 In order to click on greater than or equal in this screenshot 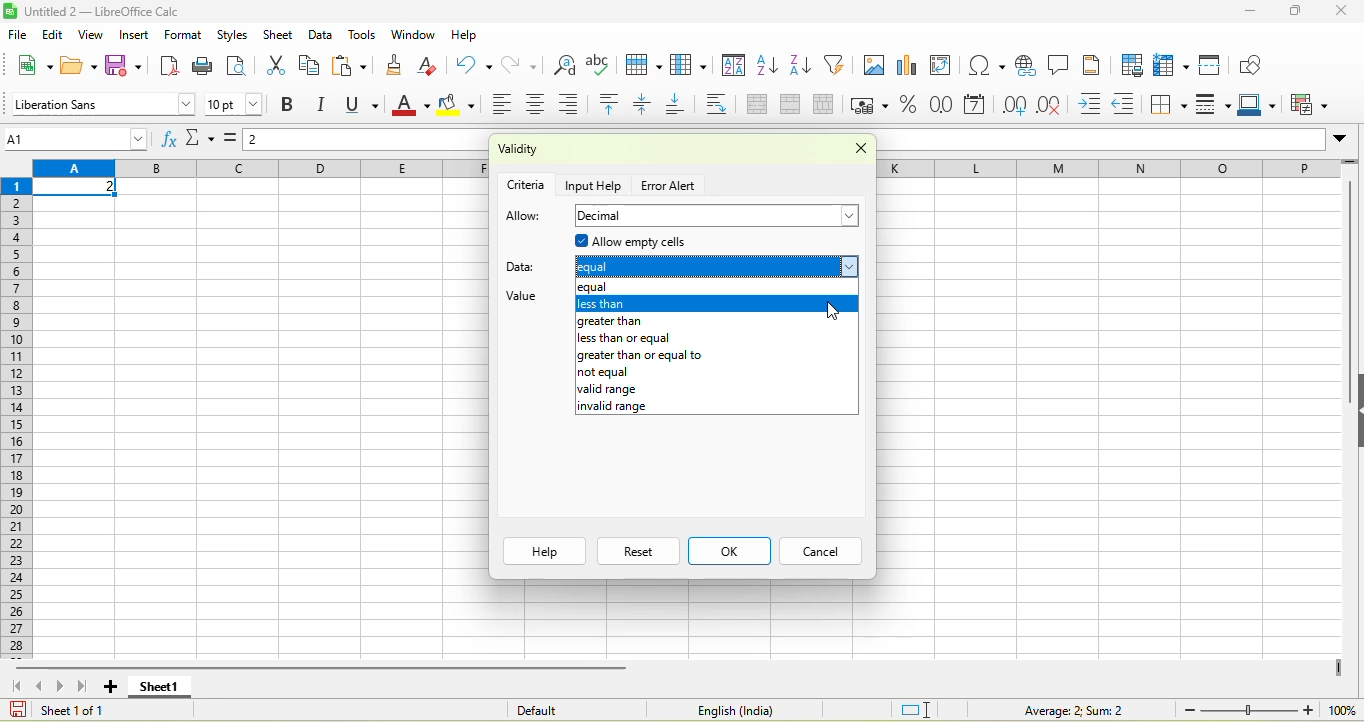, I will do `click(712, 355)`.